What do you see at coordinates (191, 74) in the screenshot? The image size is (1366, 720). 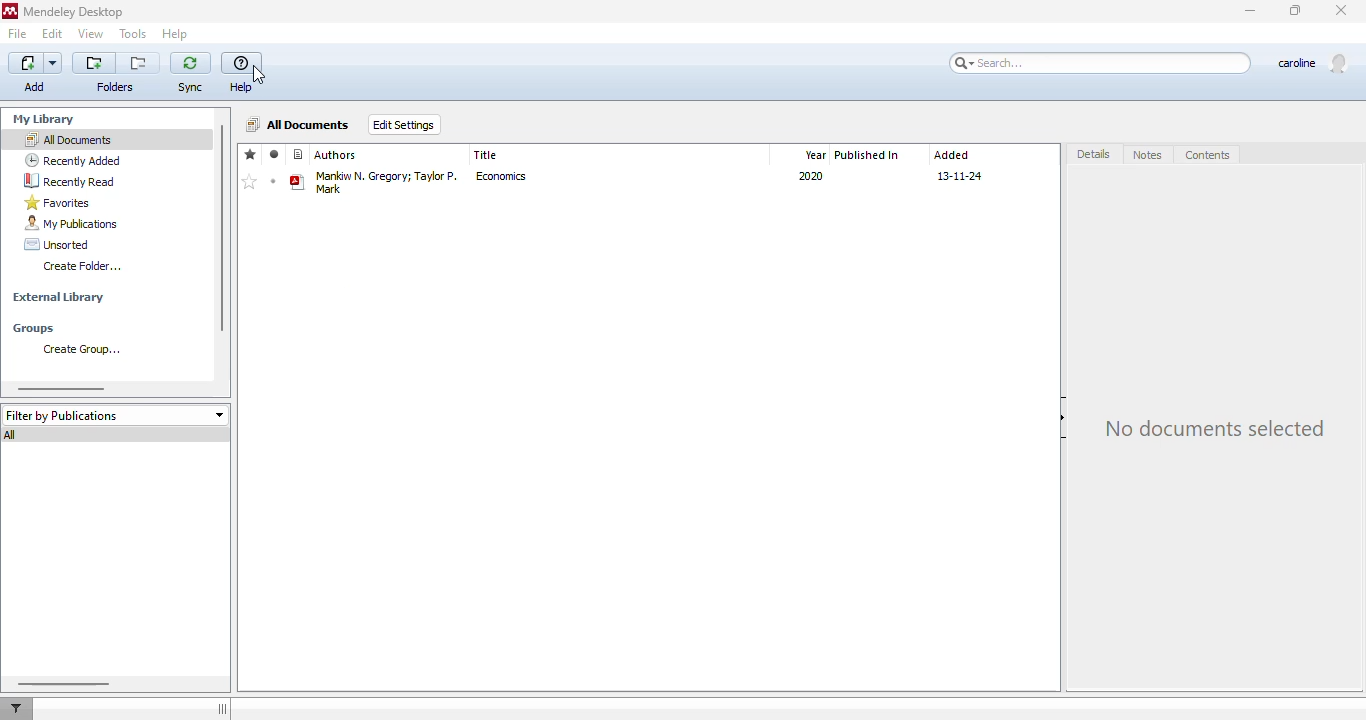 I see `sync` at bounding box center [191, 74].